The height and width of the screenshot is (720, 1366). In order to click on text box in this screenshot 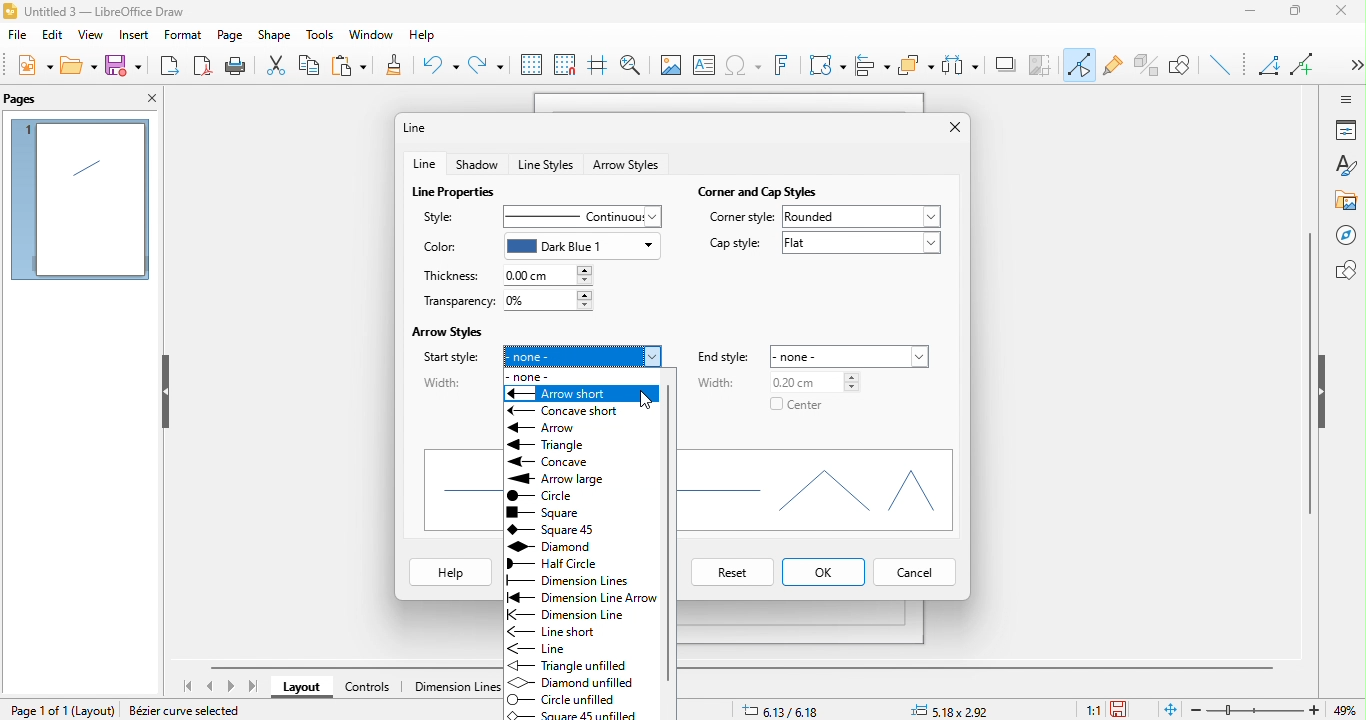, I will do `click(705, 68)`.